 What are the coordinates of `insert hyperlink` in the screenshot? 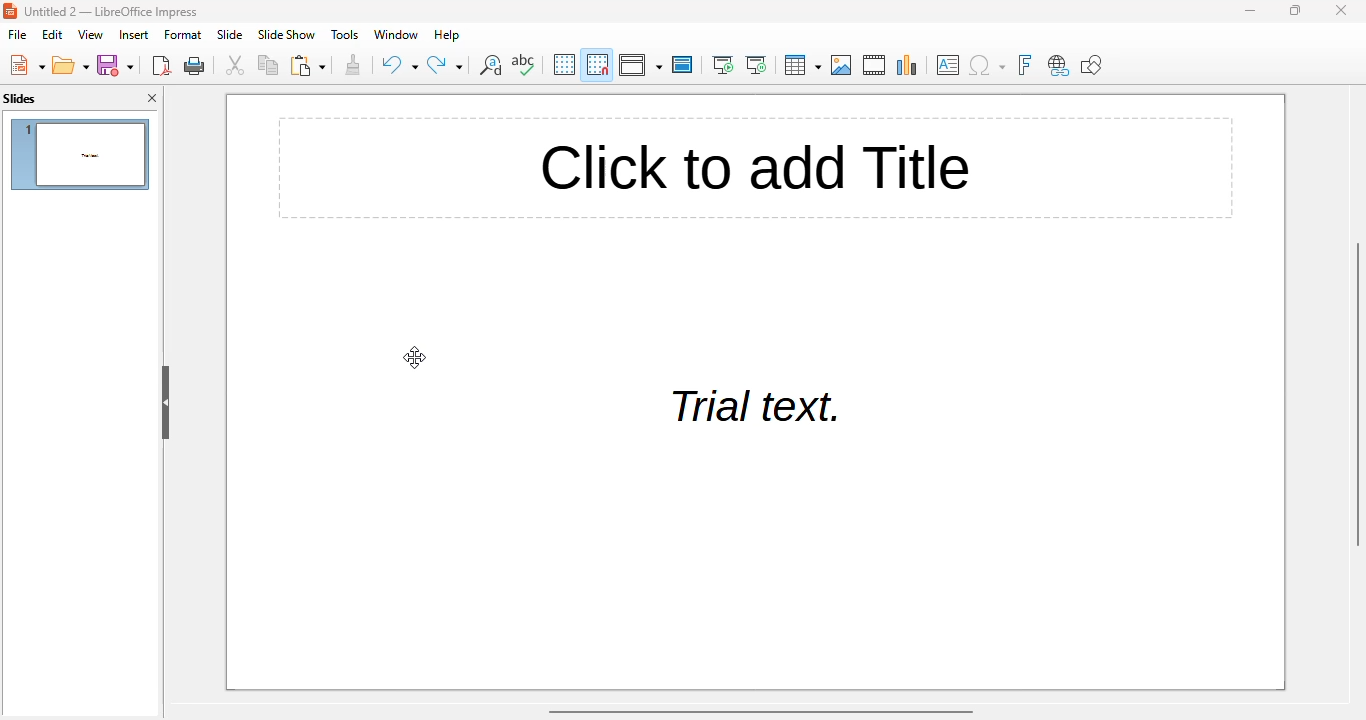 It's located at (1059, 65).